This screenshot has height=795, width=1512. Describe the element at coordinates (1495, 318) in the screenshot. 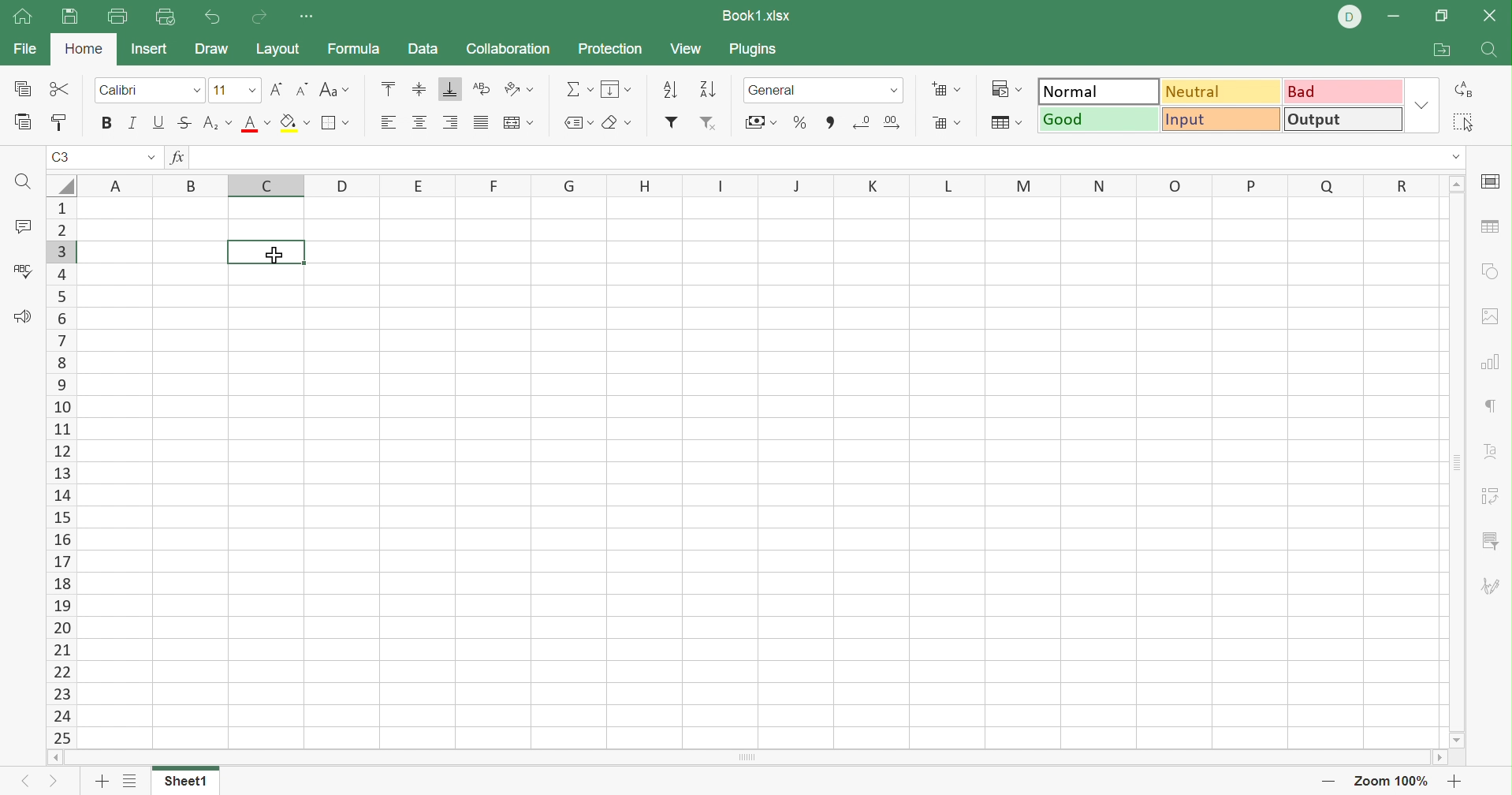

I see `Image settings` at that location.